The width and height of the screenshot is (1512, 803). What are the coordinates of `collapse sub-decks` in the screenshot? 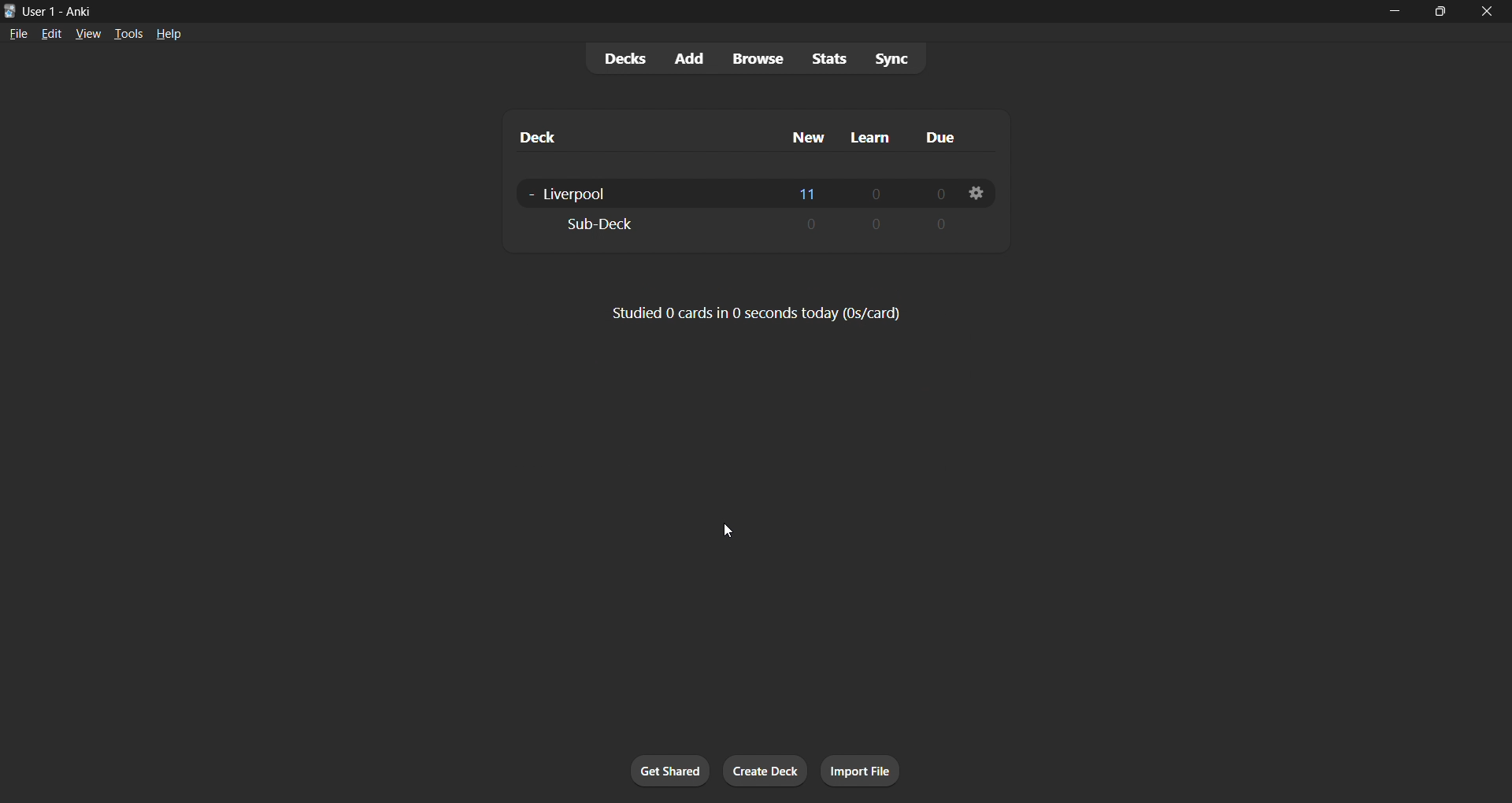 It's located at (529, 195).